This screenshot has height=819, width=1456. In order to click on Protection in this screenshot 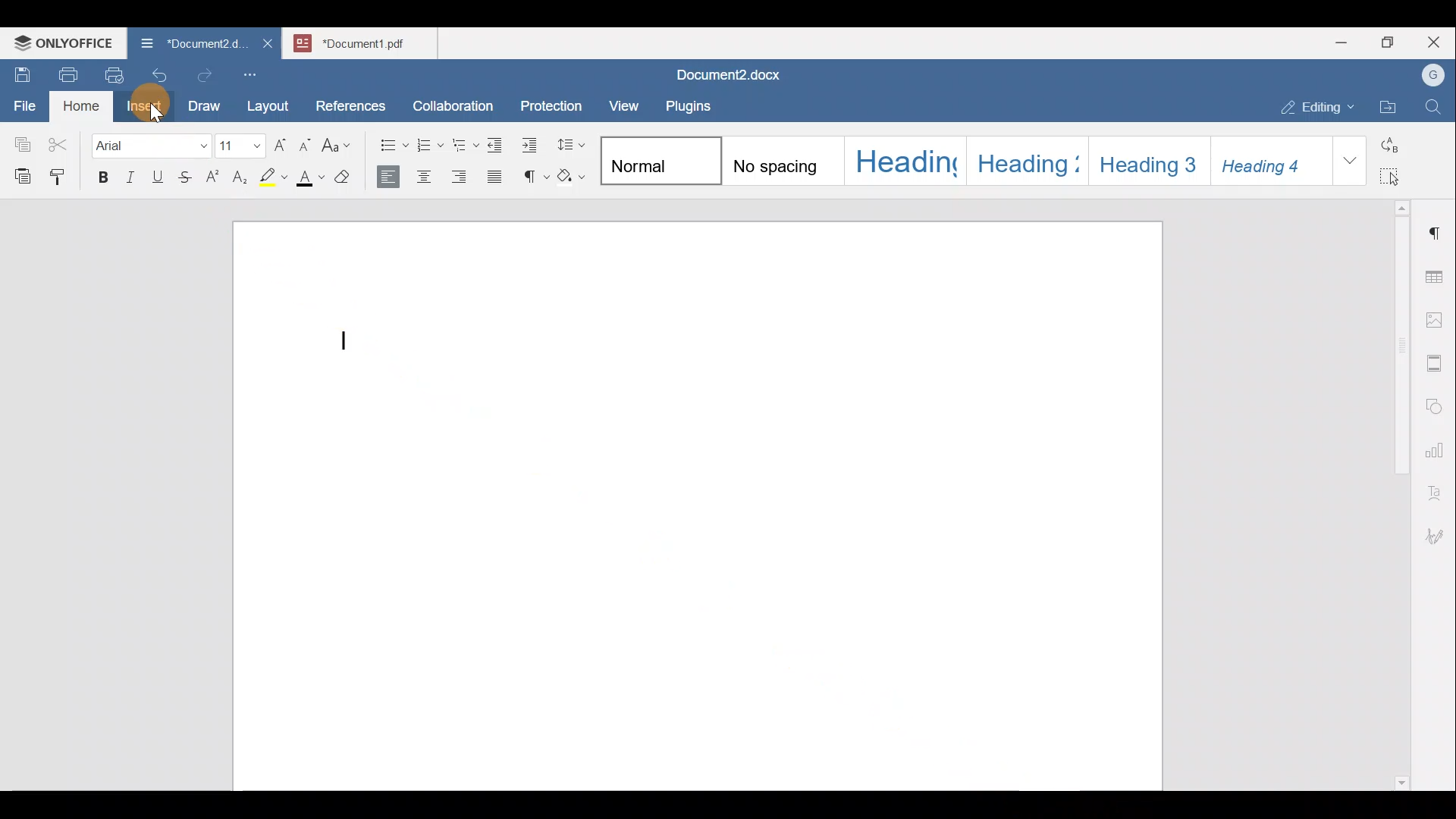, I will do `click(556, 104)`.